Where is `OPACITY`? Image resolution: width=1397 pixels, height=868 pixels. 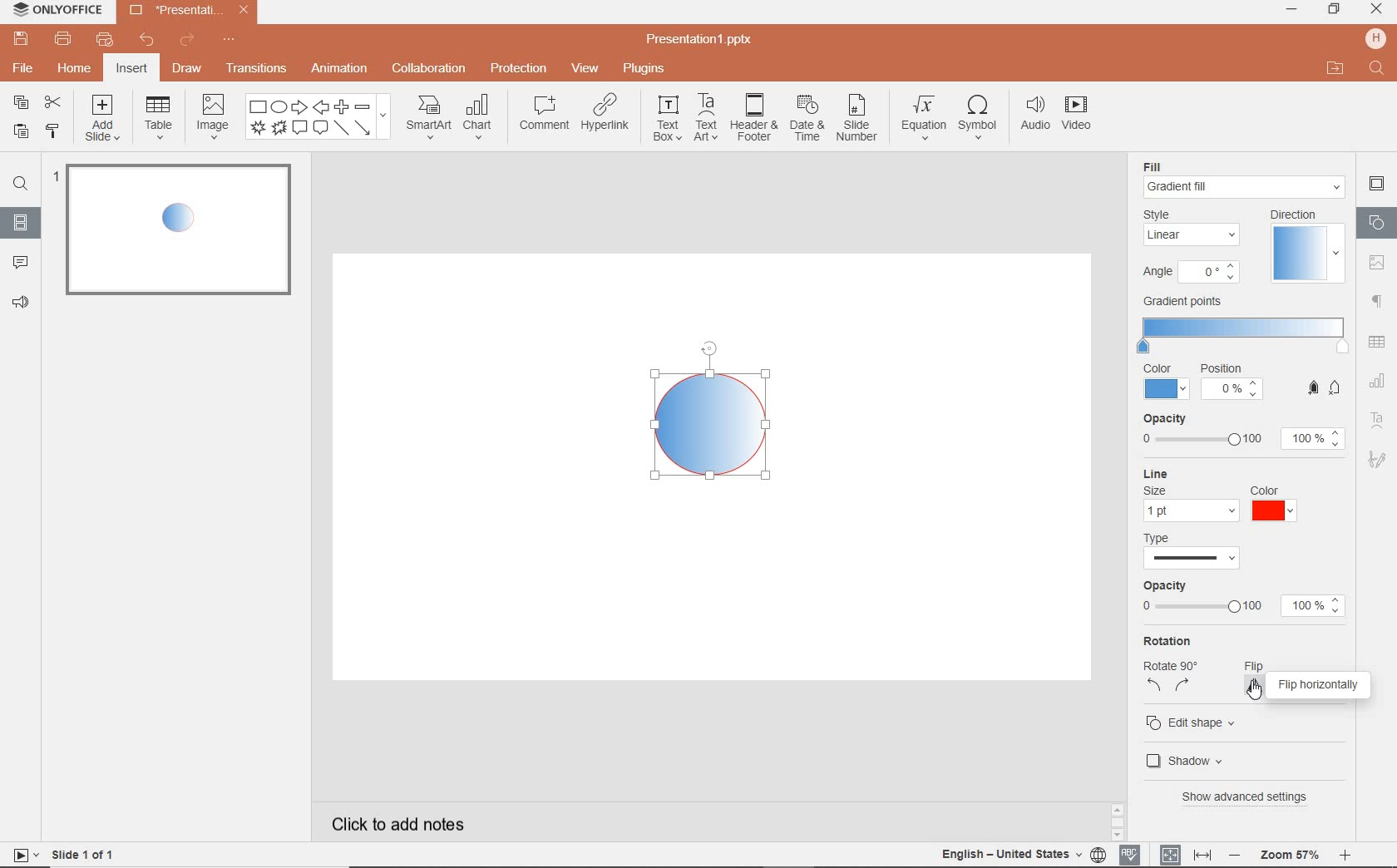 OPACITY is located at coordinates (1244, 600).